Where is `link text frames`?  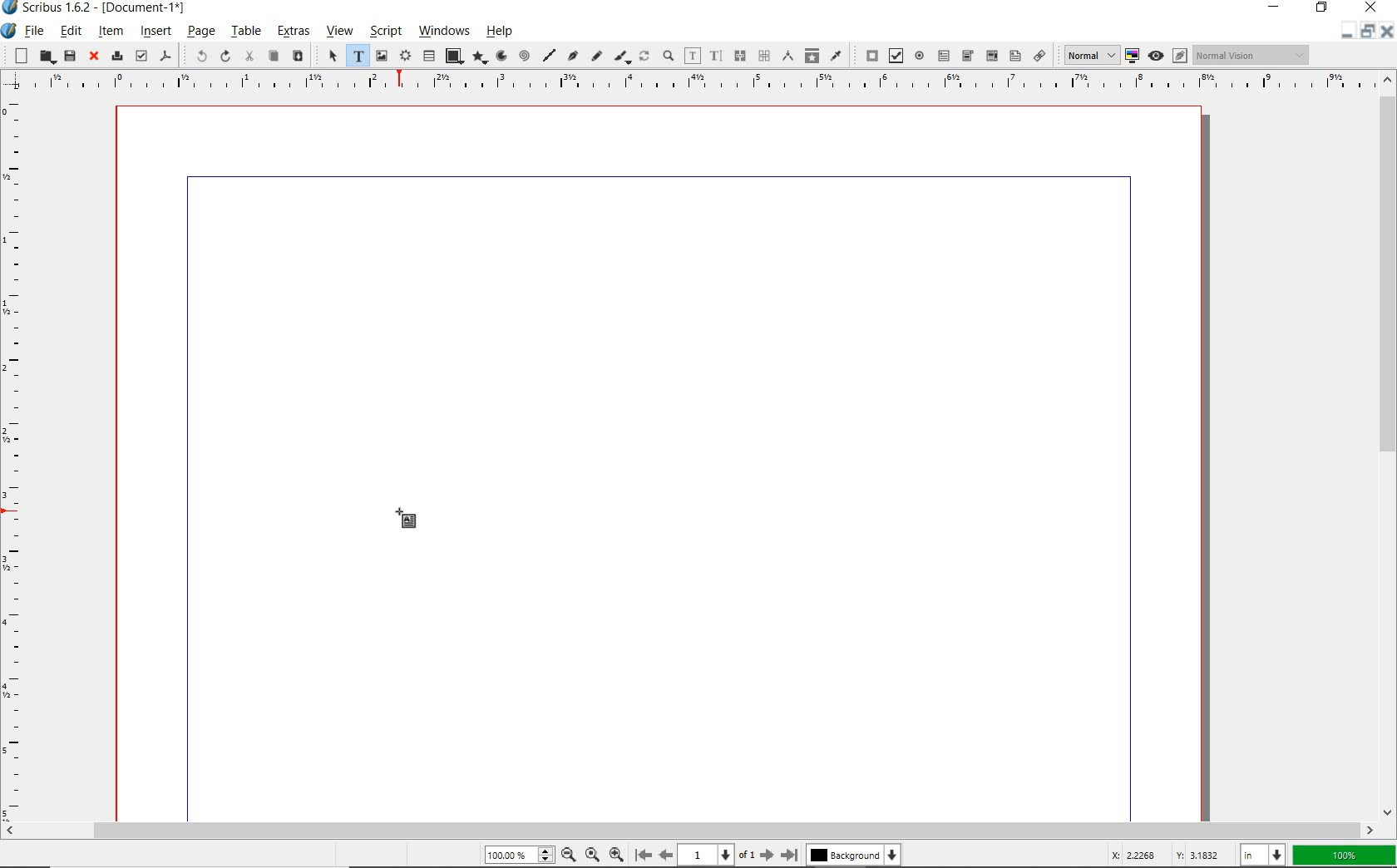
link text frames is located at coordinates (738, 56).